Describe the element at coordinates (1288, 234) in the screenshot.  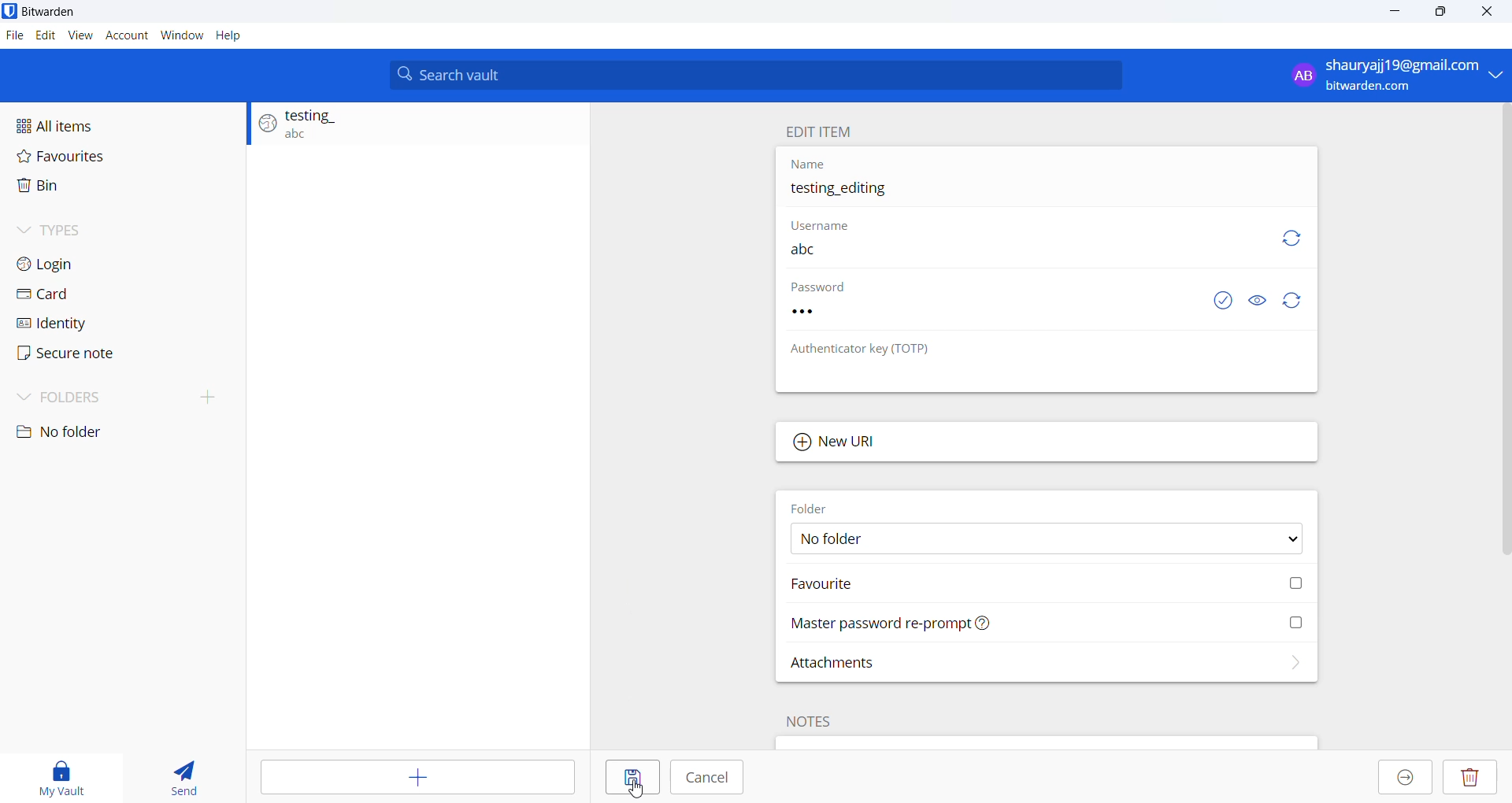
I see `Refresh` at that location.